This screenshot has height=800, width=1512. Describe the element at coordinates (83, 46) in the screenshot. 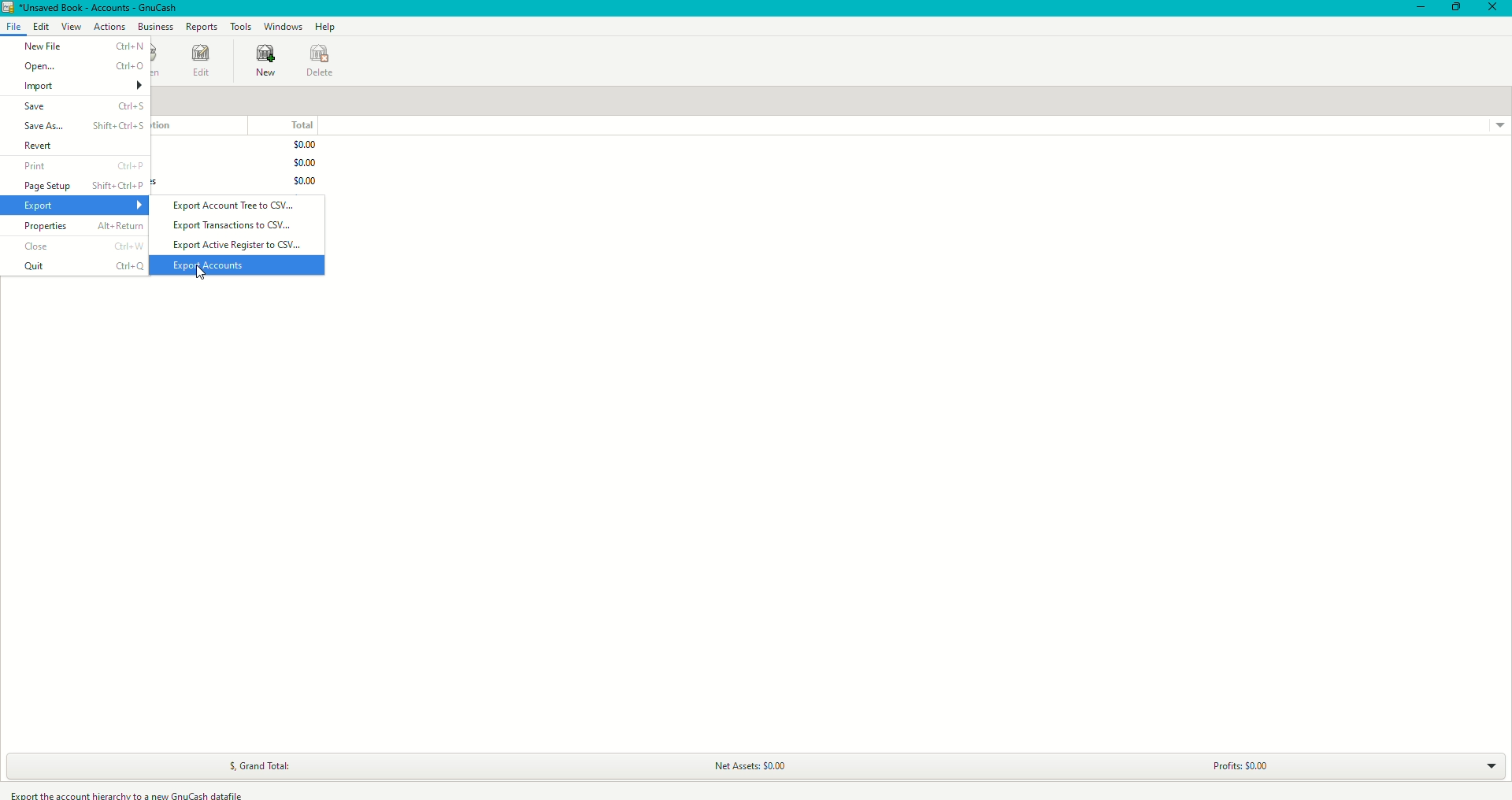

I see `New File` at that location.